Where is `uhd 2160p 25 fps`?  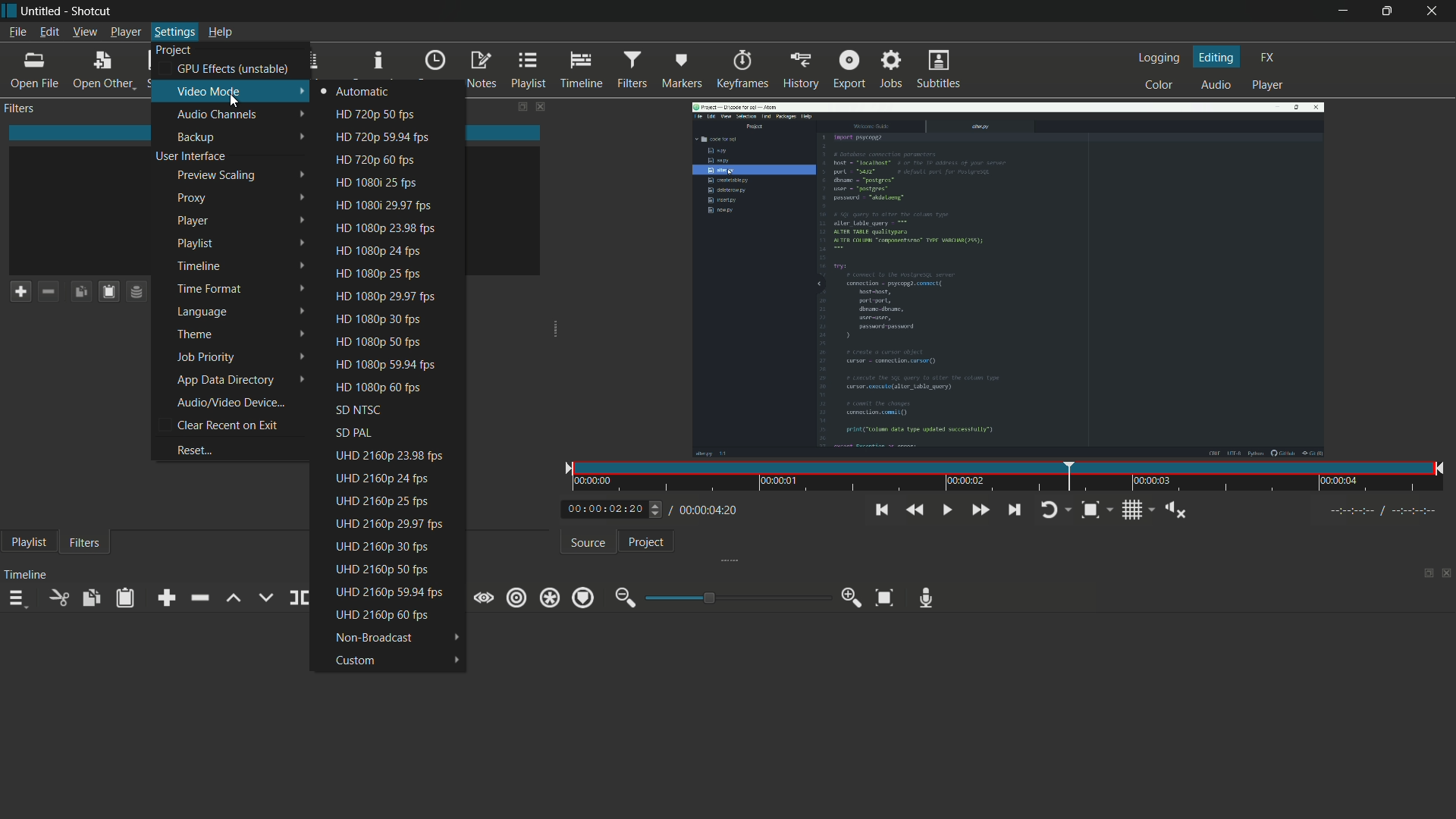
uhd 2160p 25 fps is located at coordinates (391, 503).